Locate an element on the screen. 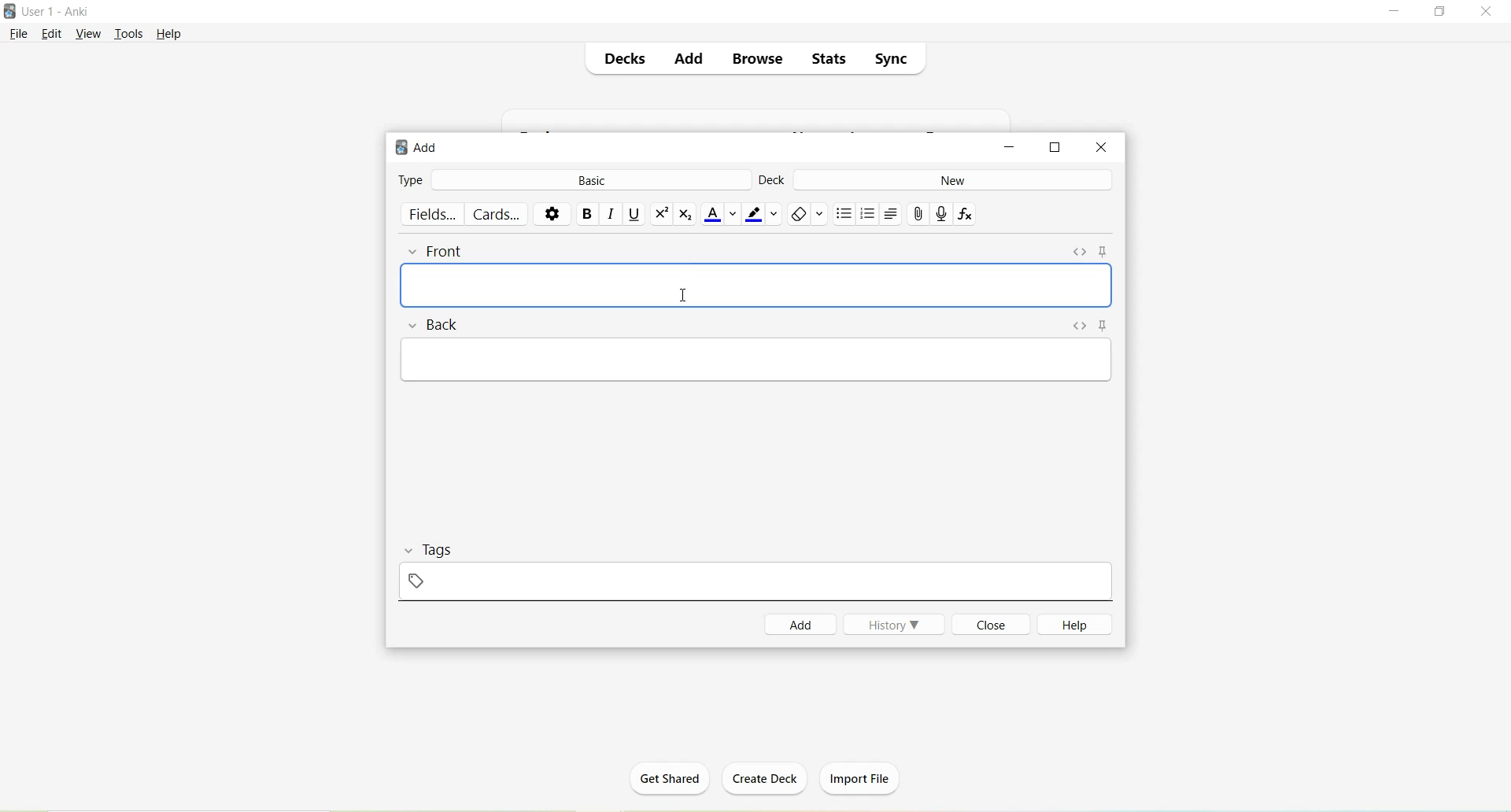 This screenshot has width=1511, height=812. Toggle HTML Editor is located at coordinates (1081, 327).